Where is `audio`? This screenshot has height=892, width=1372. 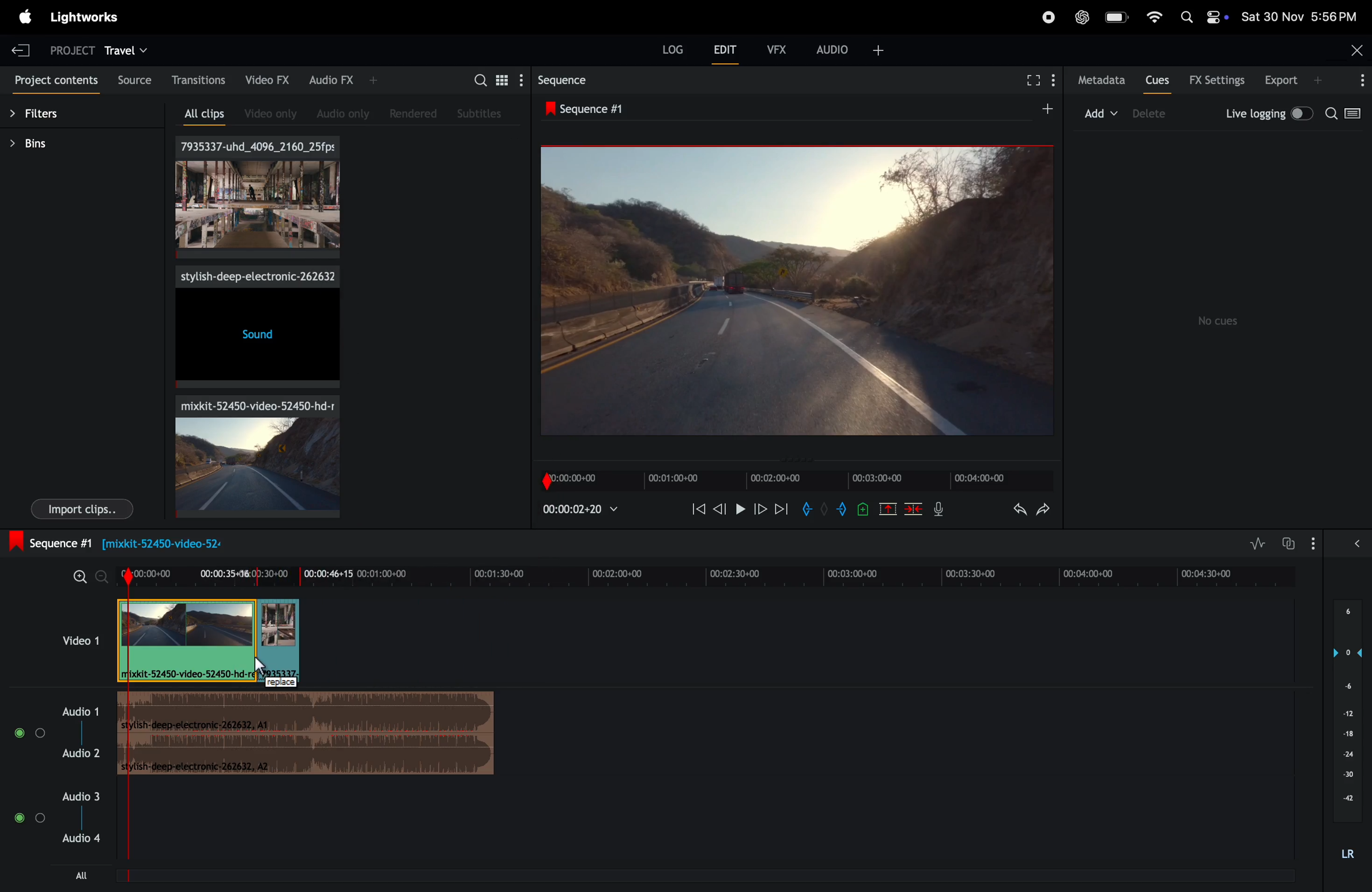 audio is located at coordinates (850, 48).